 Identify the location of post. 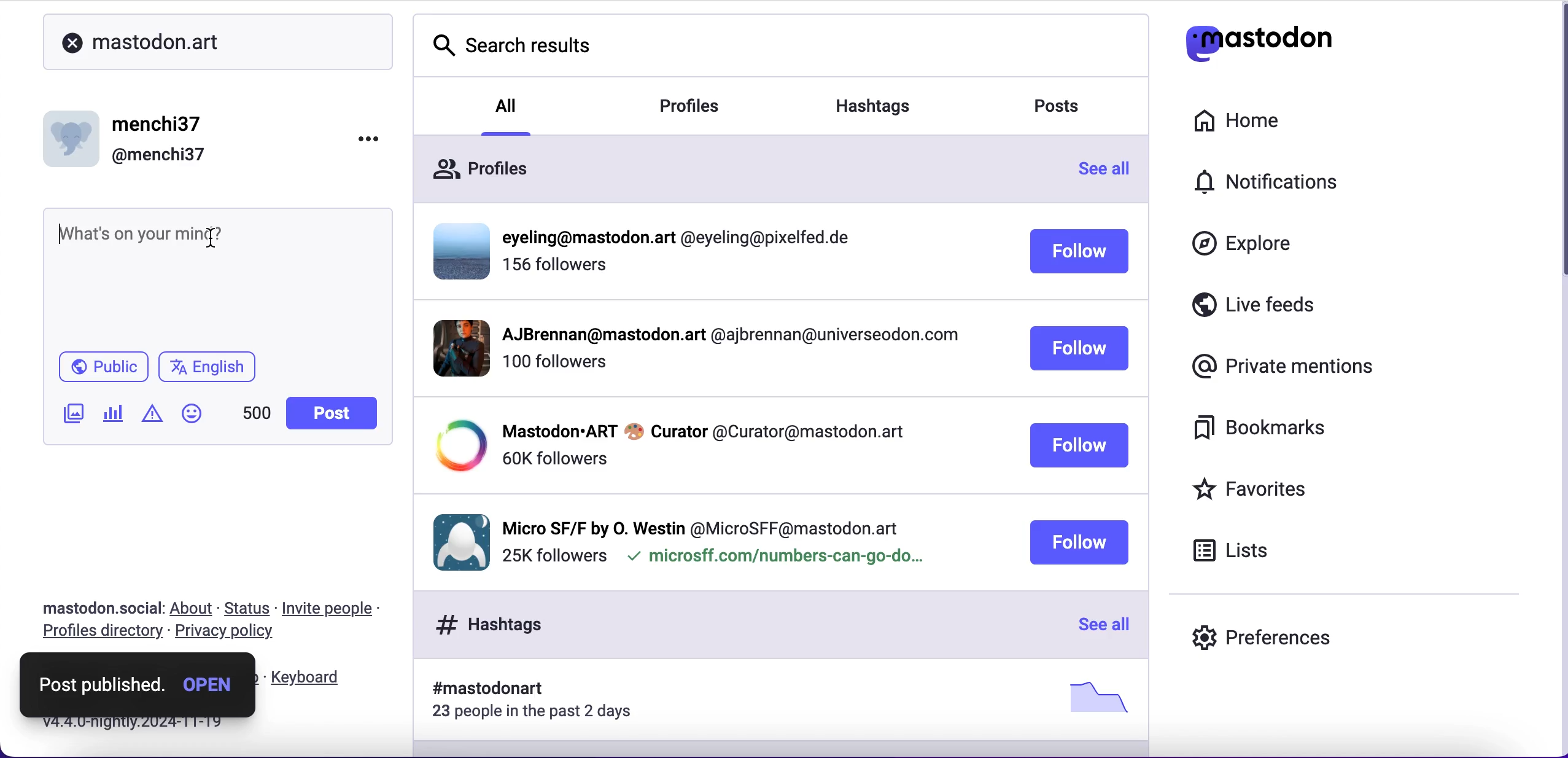
(327, 412).